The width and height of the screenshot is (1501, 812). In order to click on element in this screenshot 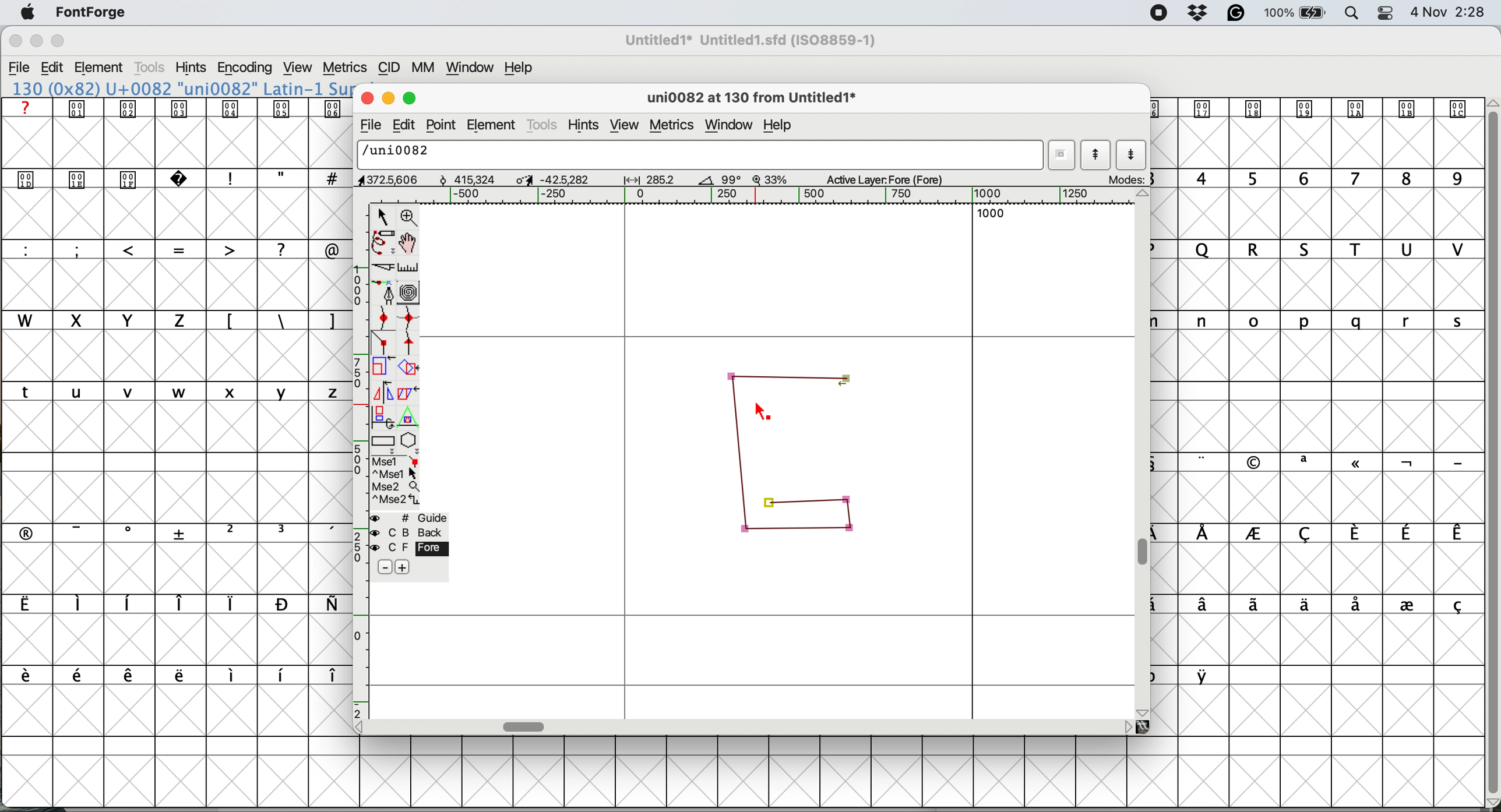, I will do `click(100, 69)`.